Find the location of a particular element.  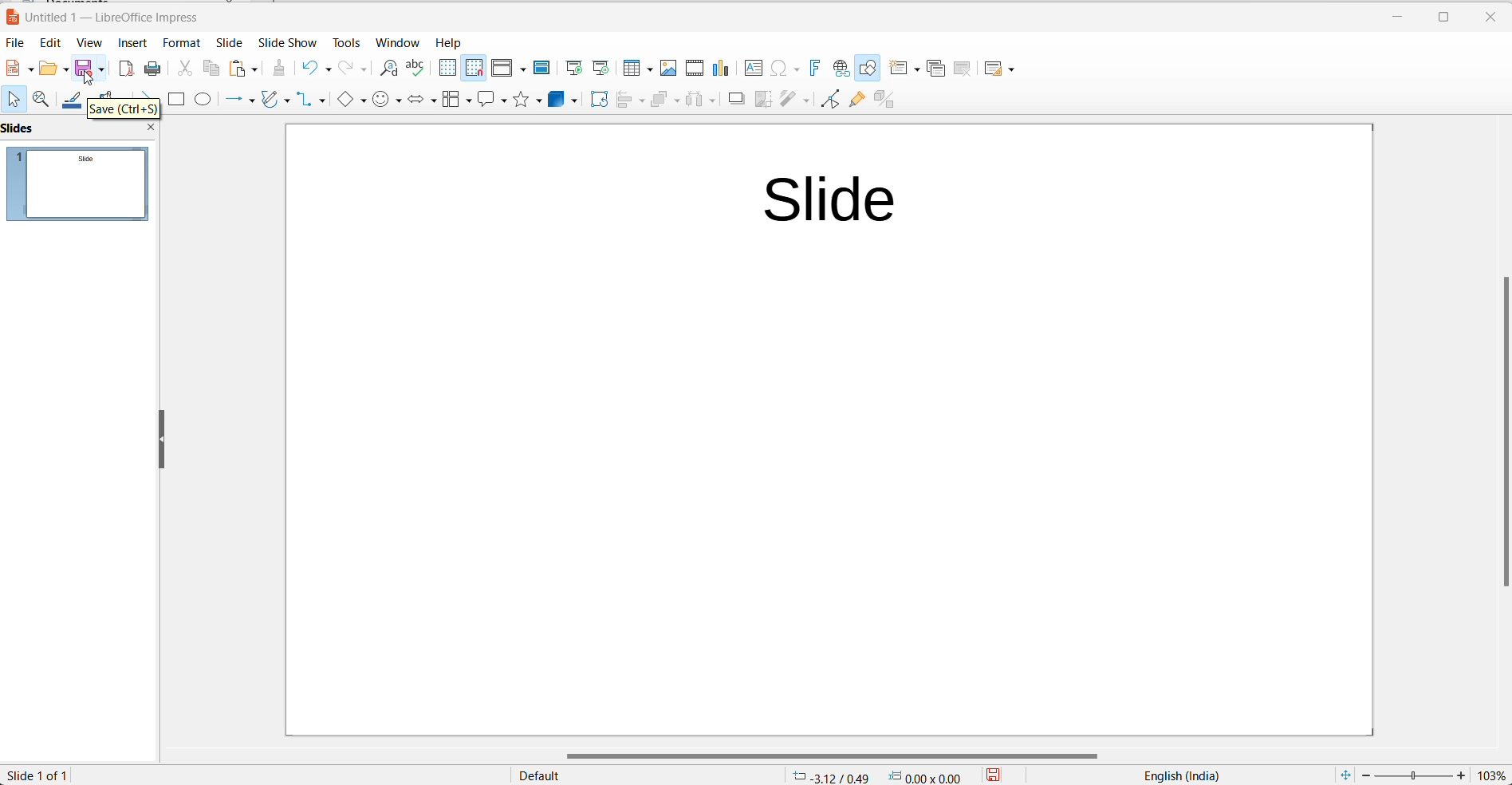

Print is located at coordinates (150, 69).